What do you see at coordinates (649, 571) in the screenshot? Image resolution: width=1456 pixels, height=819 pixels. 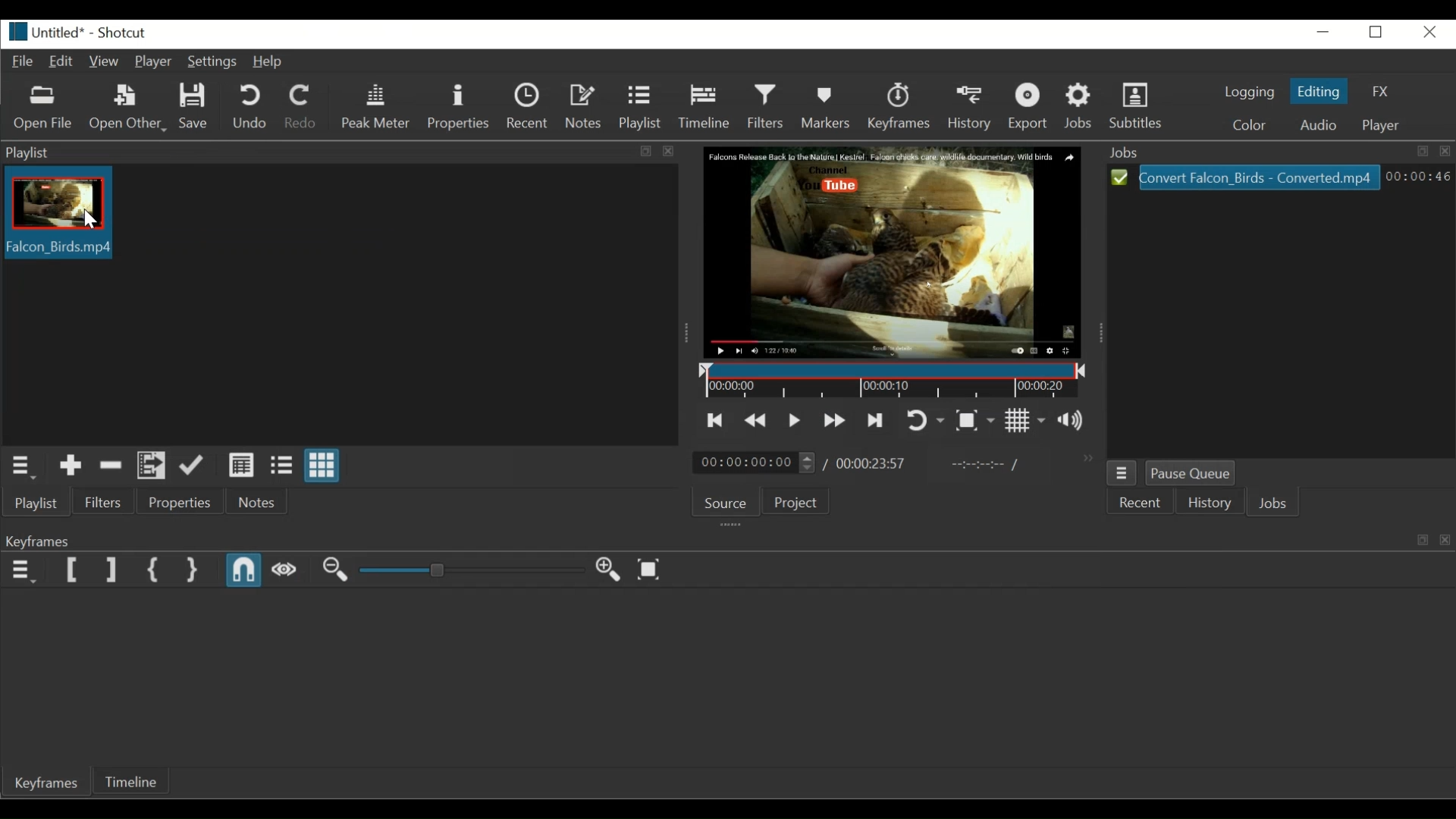 I see `Zoom keyframe to fit` at bounding box center [649, 571].